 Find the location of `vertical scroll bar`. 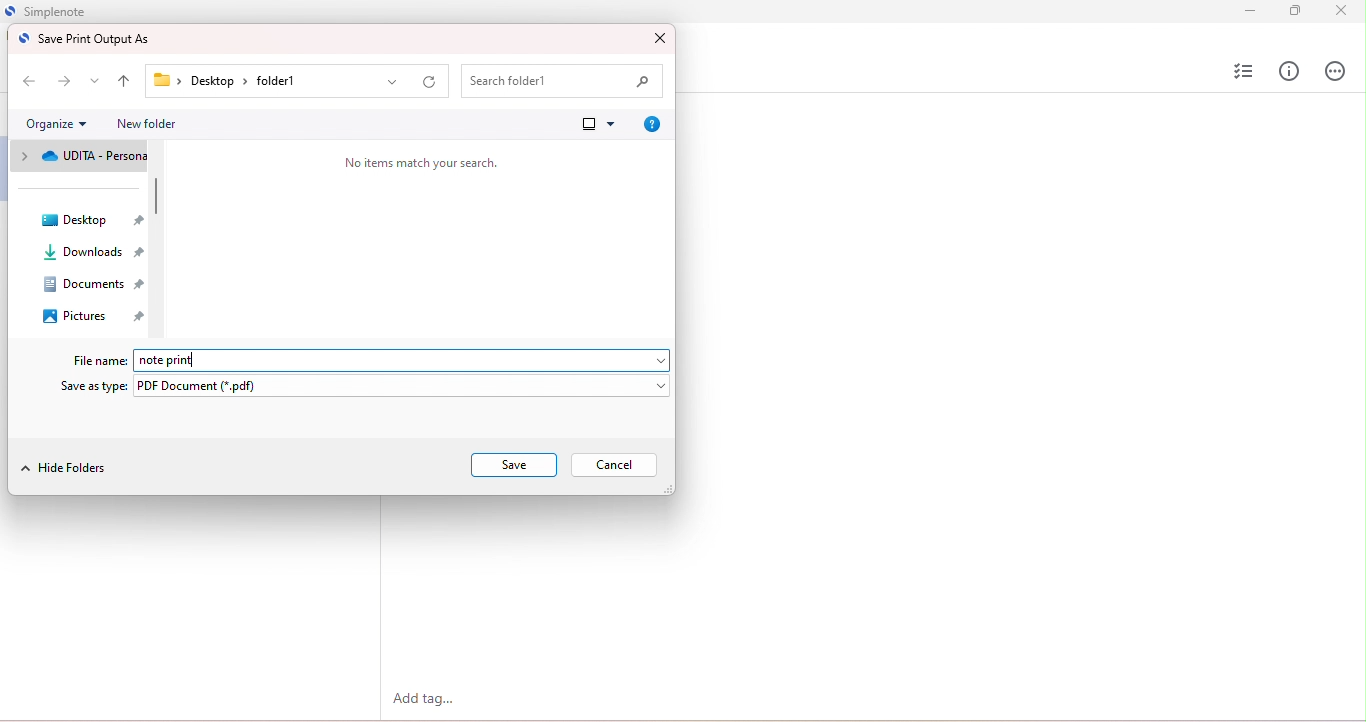

vertical scroll bar is located at coordinates (157, 196).